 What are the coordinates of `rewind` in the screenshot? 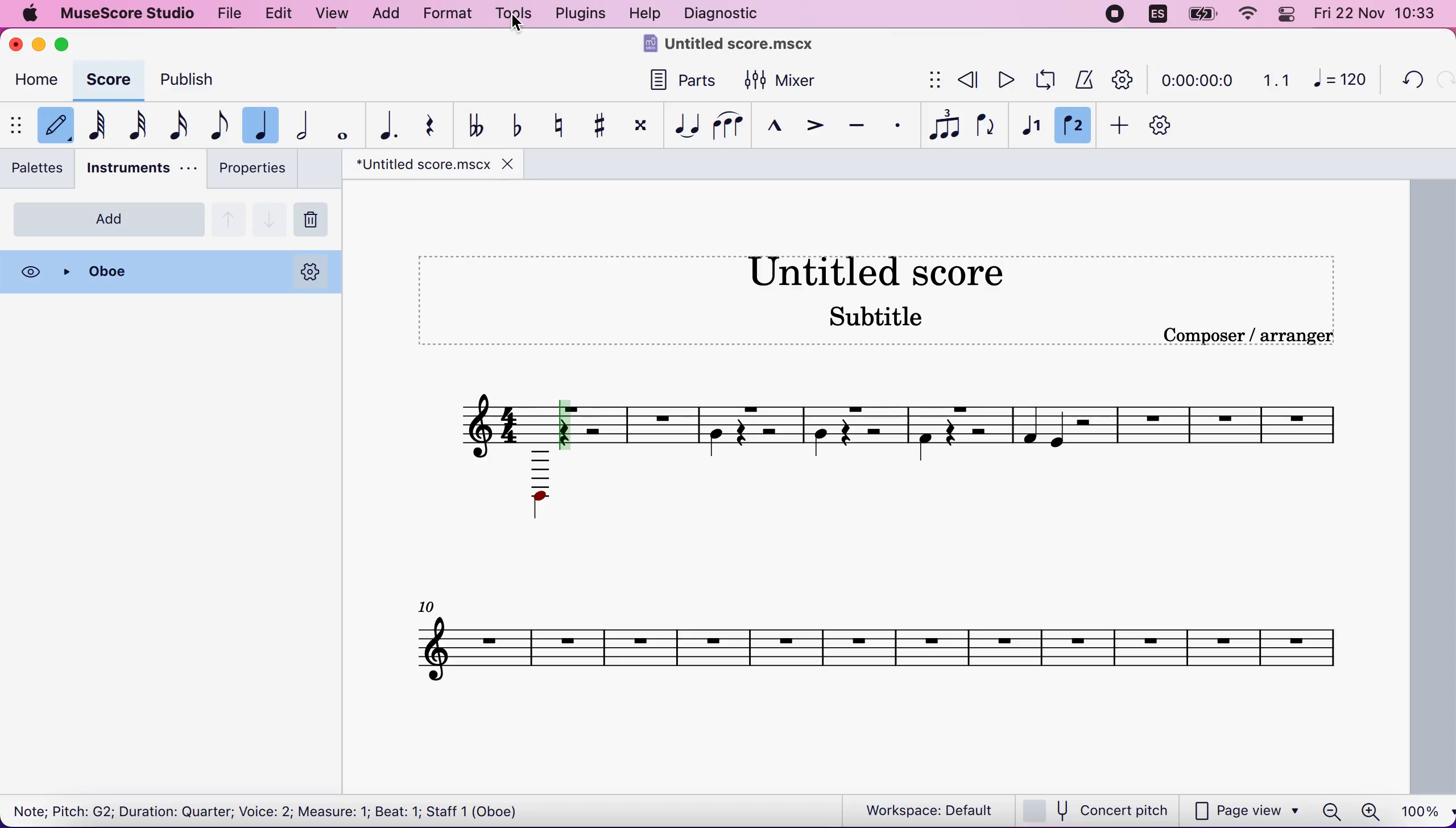 It's located at (966, 78).